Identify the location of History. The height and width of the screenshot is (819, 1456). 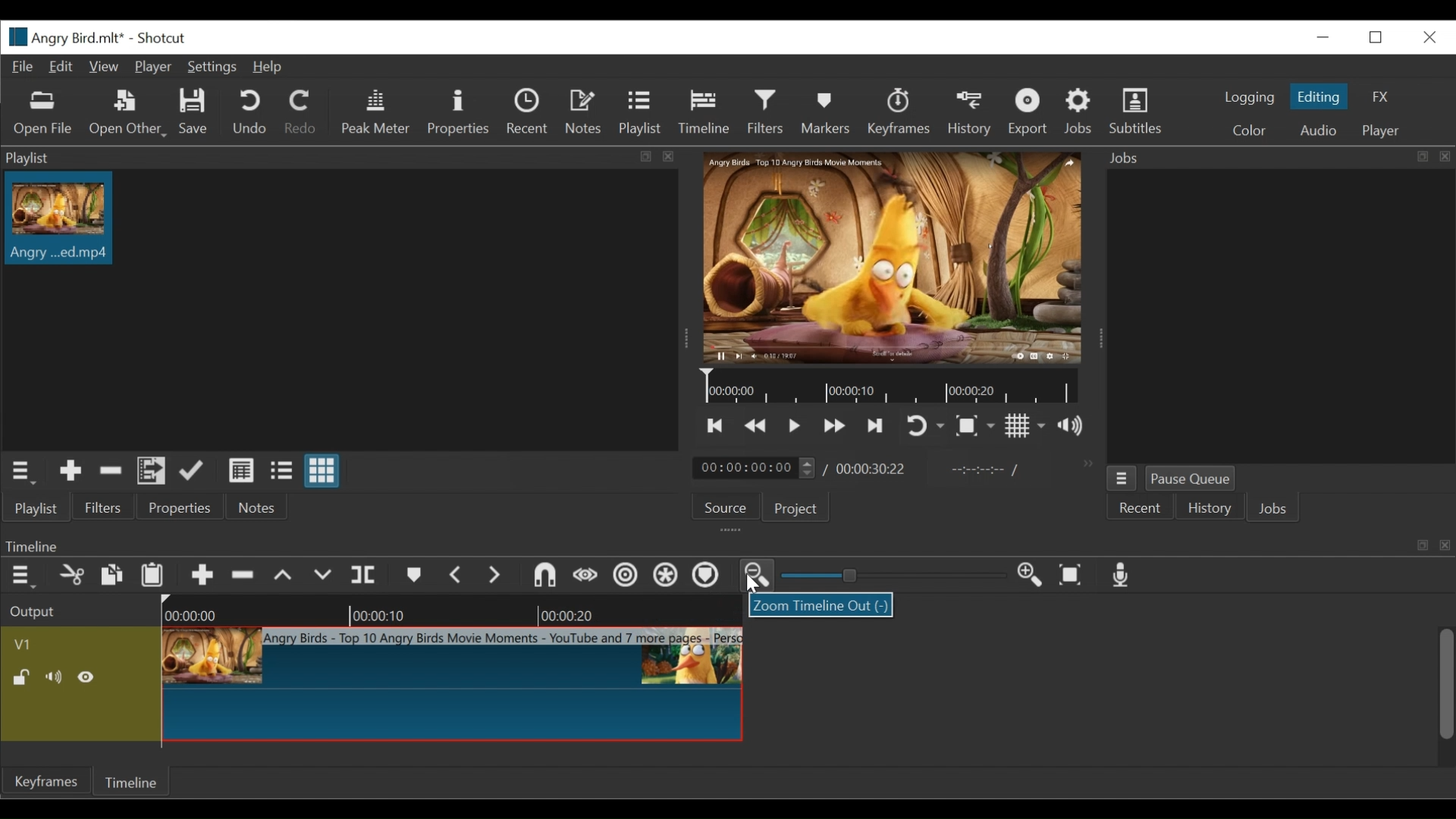
(1208, 508).